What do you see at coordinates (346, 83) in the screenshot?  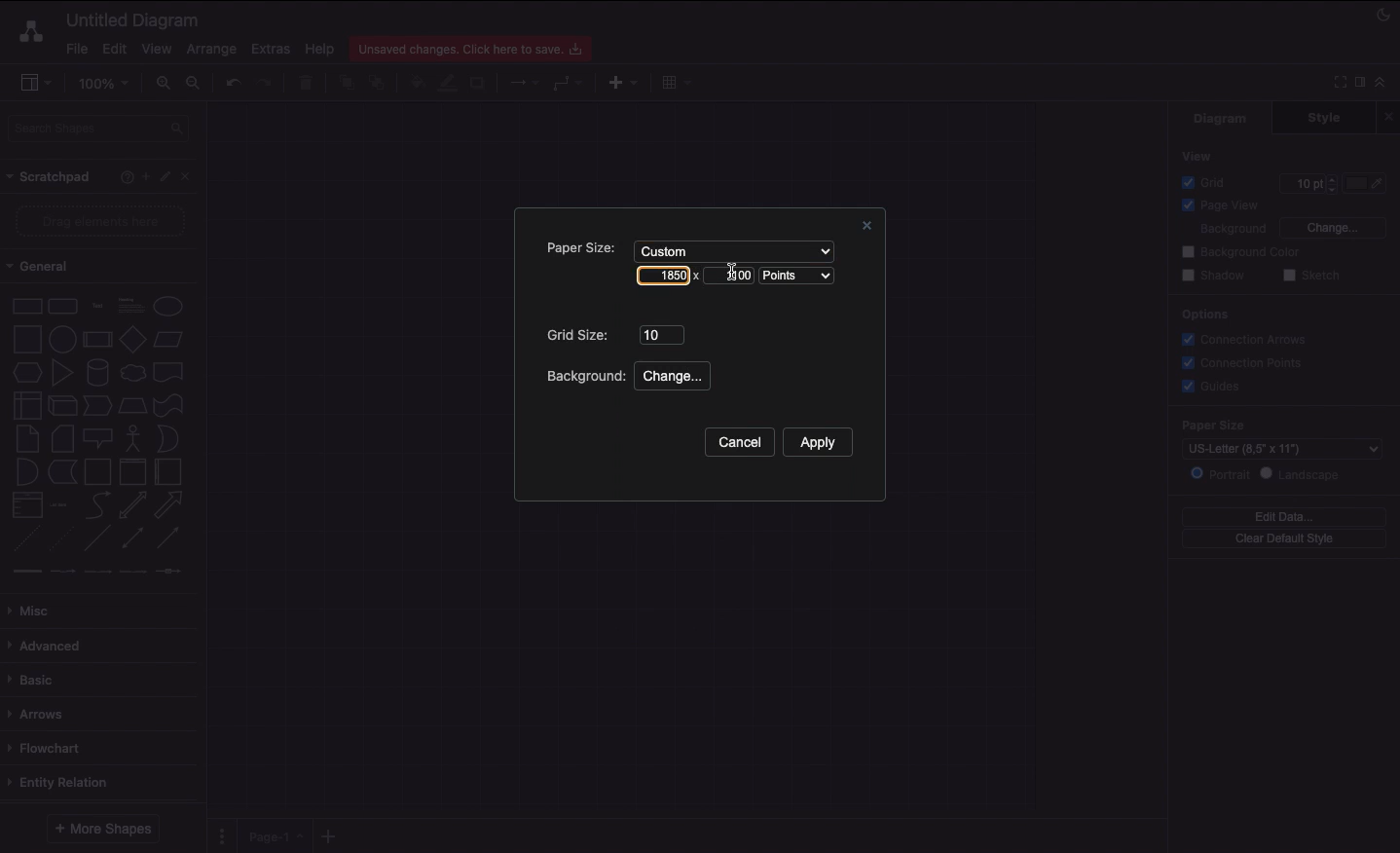 I see `To front` at bounding box center [346, 83].